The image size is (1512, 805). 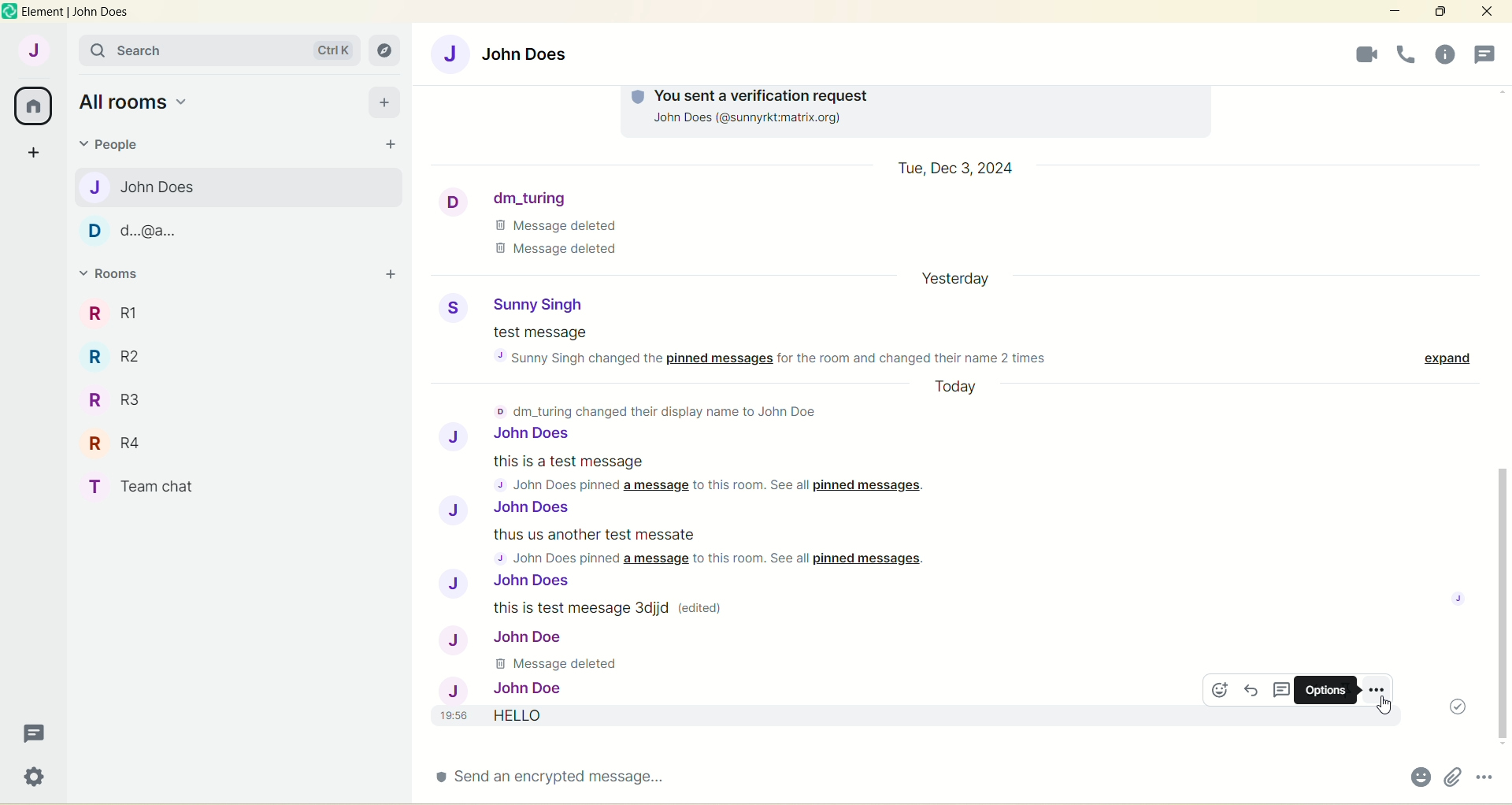 What do you see at coordinates (151, 187) in the screenshot?
I see `J John Does` at bounding box center [151, 187].